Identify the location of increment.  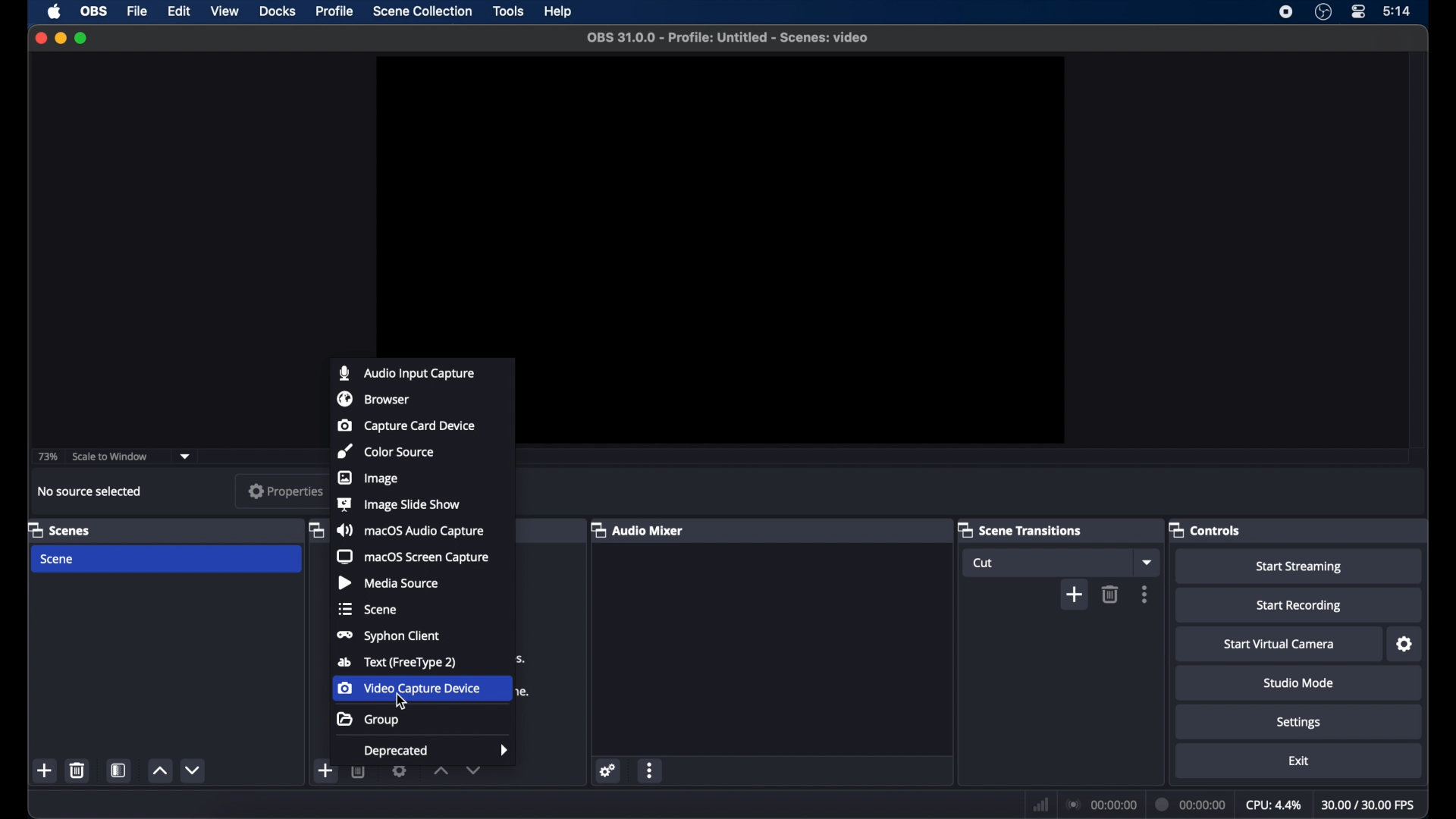
(439, 773).